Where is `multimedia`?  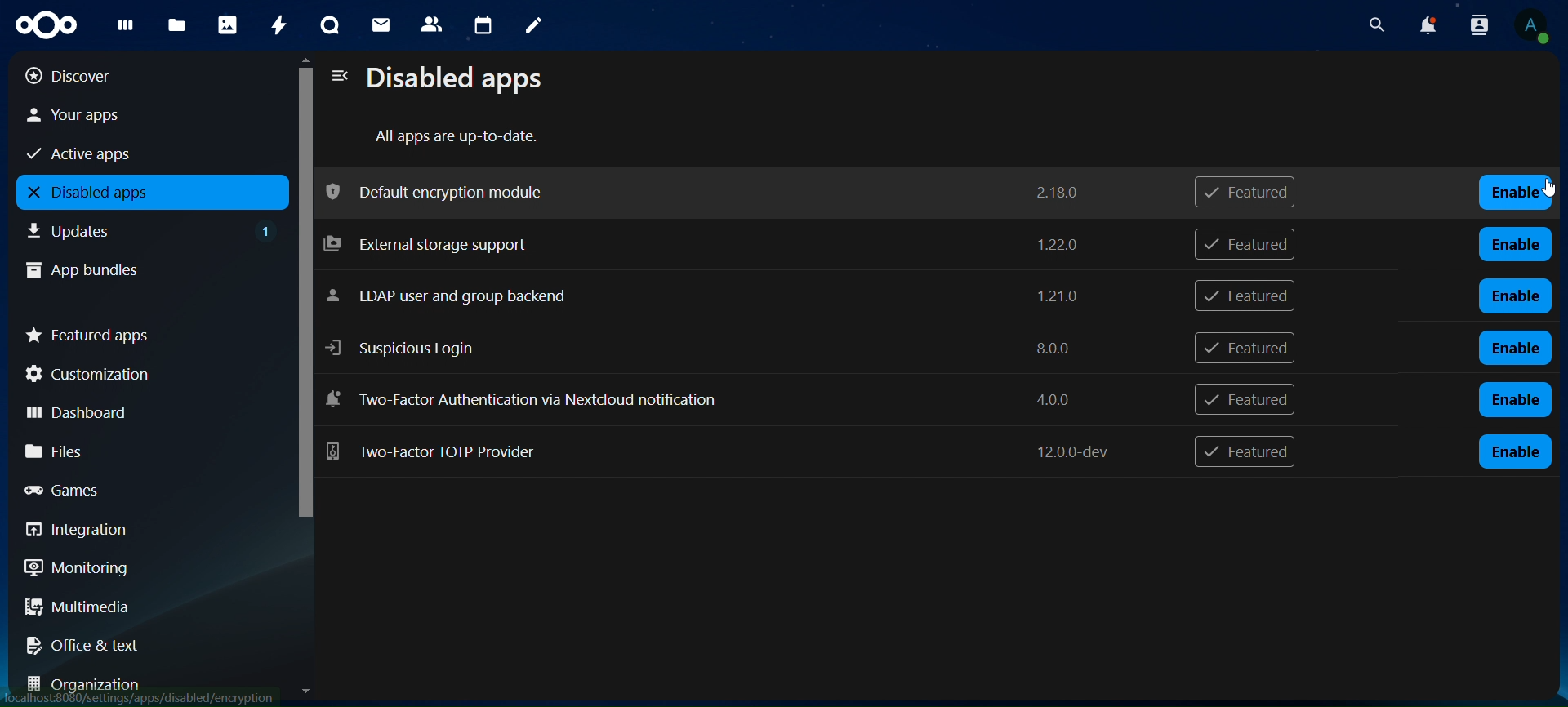 multimedia is located at coordinates (145, 610).